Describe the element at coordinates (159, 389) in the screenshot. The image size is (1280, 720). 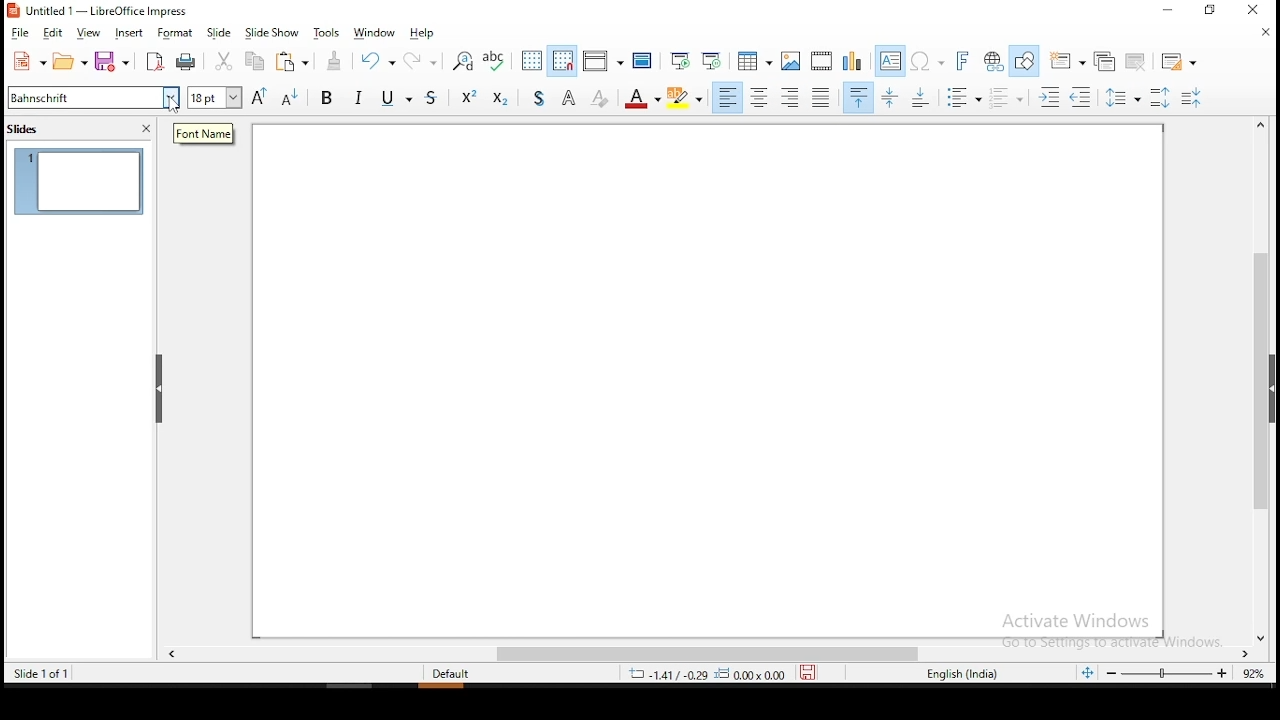
I see `drag handle` at that location.